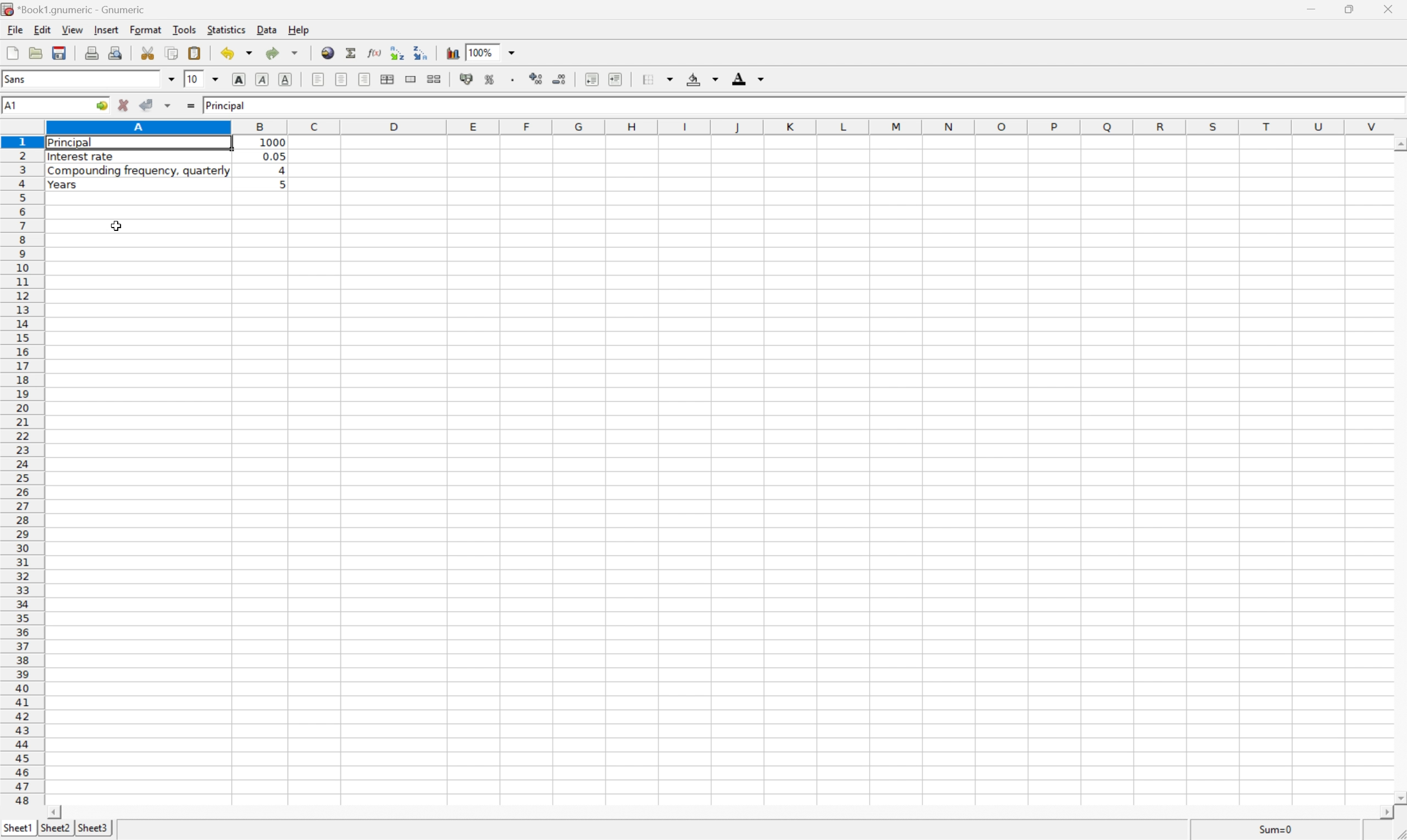 This screenshot has width=1407, height=840. I want to click on statistics, so click(227, 29).